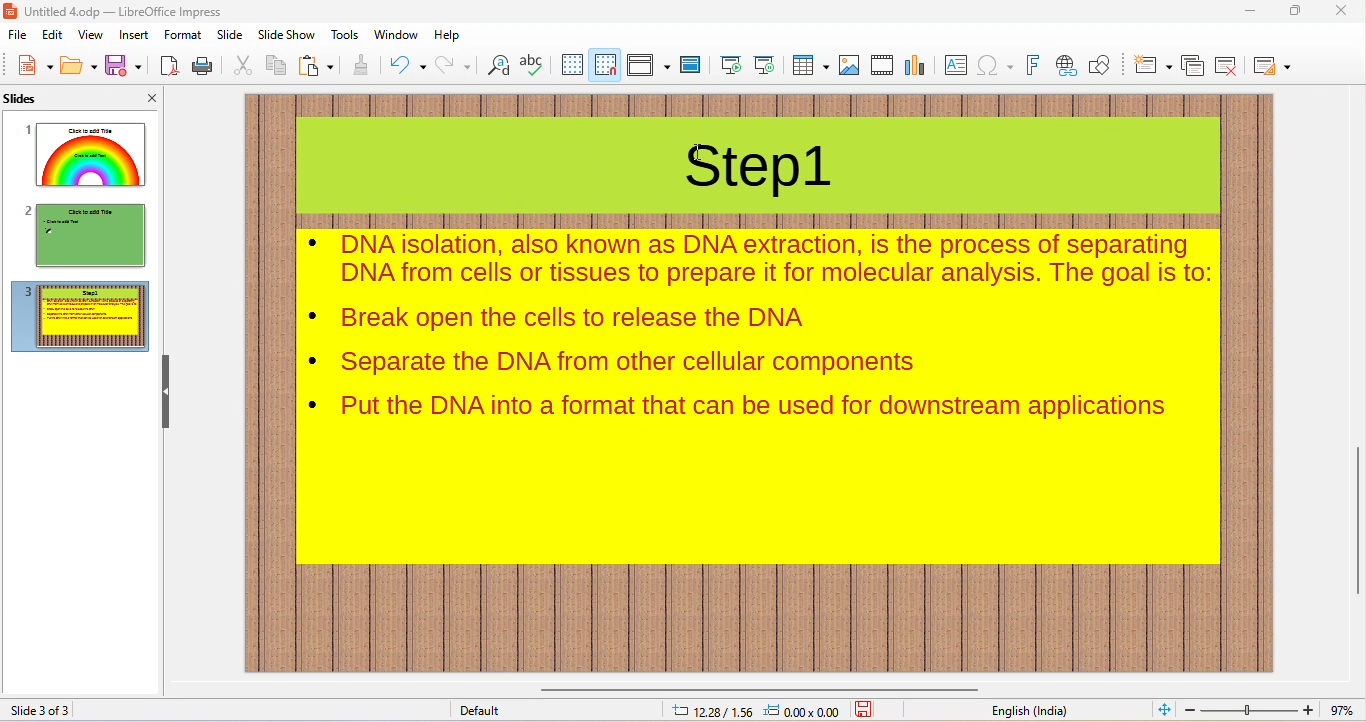 The height and width of the screenshot is (722, 1366). What do you see at coordinates (80, 154) in the screenshot?
I see `slide1` at bounding box center [80, 154].